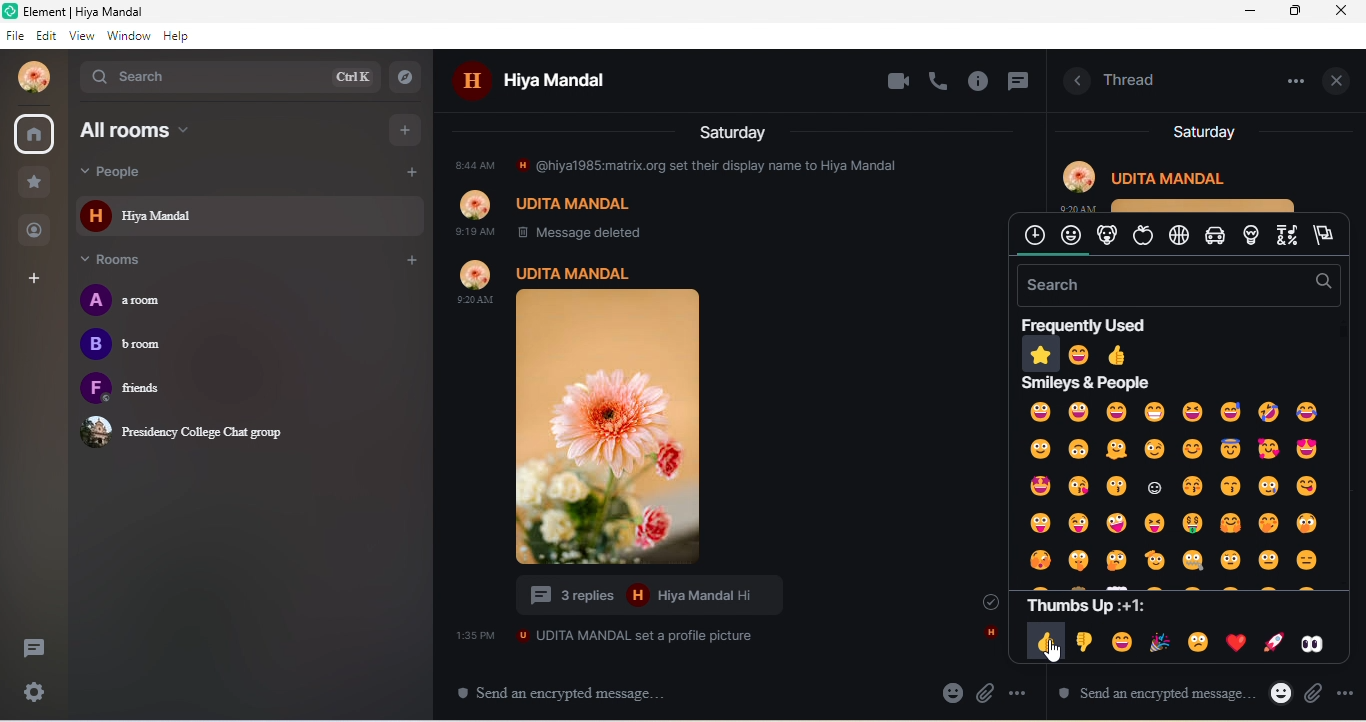 The height and width of the screenshot is (722, 1366). What do you see at coordinates (1275, 696) in the screenshot?
I see `attachment` at bounding box center [1275, 696].